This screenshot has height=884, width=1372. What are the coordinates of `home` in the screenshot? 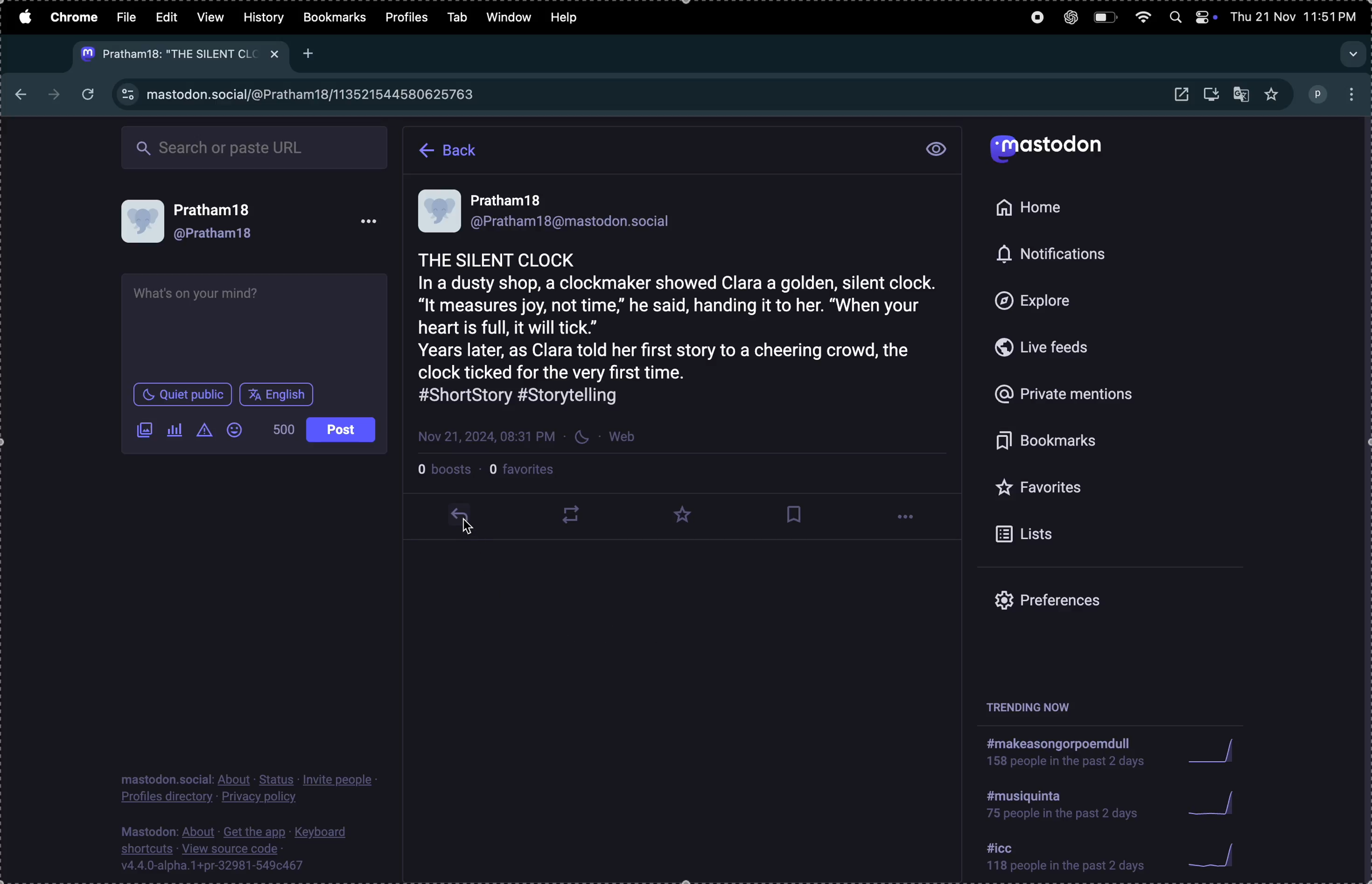 It's located at (1036, 208).